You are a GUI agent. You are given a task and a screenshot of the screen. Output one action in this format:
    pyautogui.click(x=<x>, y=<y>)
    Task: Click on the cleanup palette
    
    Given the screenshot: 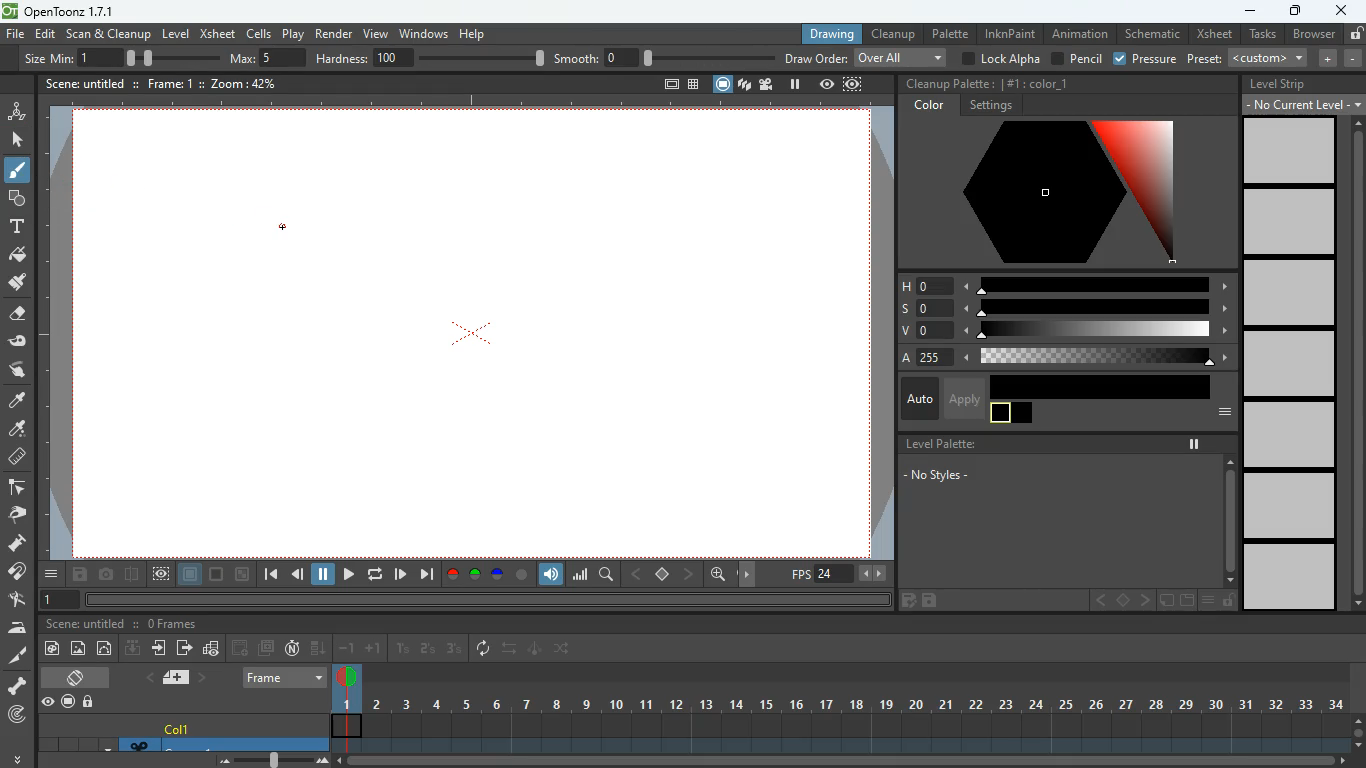 What is the action you would take?
    pyautogui.click(x=947, y=84)
    